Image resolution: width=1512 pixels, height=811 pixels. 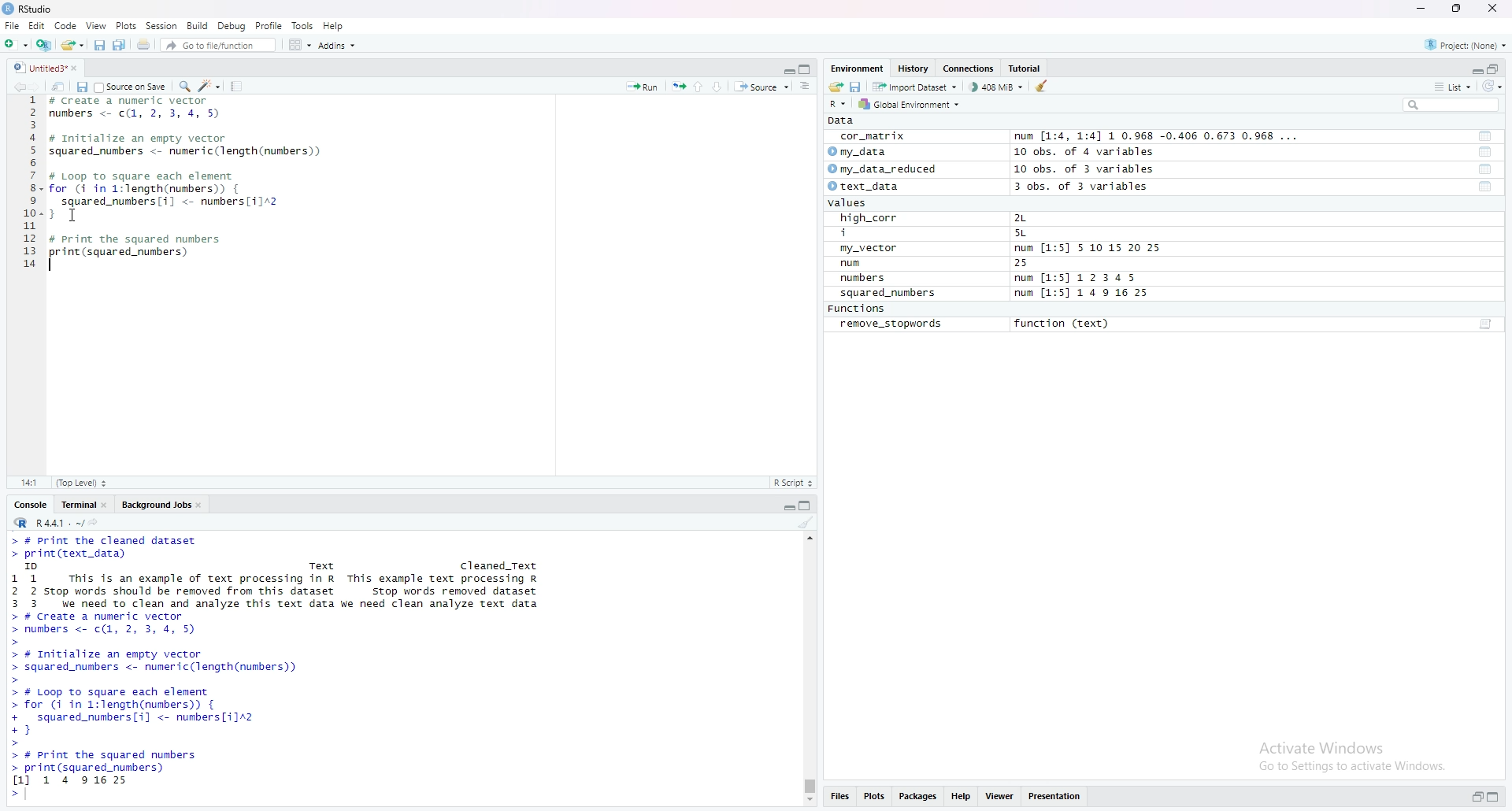 What do you see at coordinates (107, 503) in the screenshot?
I see `close` at bounding box center [107, 503].